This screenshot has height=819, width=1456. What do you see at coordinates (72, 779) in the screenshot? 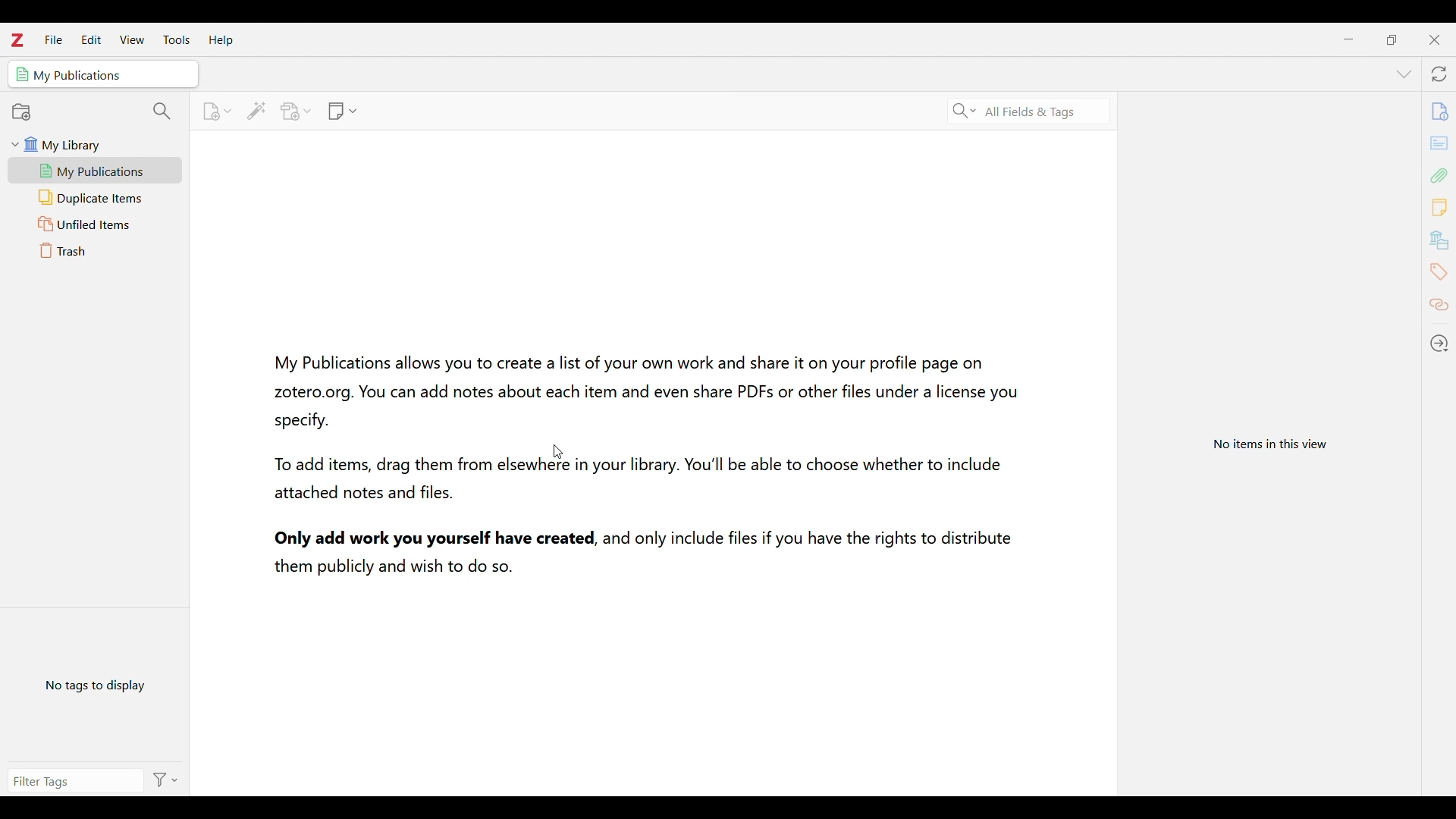
I see `Enter search manually` at bounding box center [72, 779].